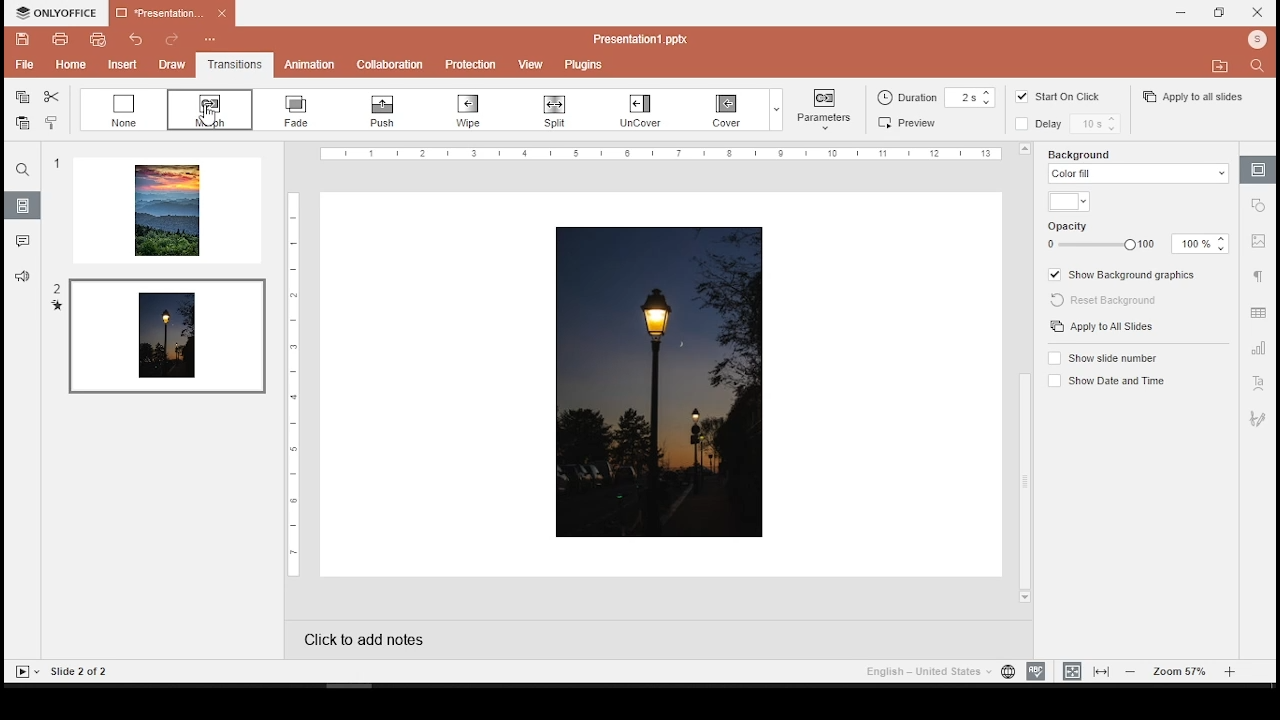 The image size is (1280, 720). Describe the element at coordinates (1102, 672) in the screenshot. I see `fit to width` at that location.